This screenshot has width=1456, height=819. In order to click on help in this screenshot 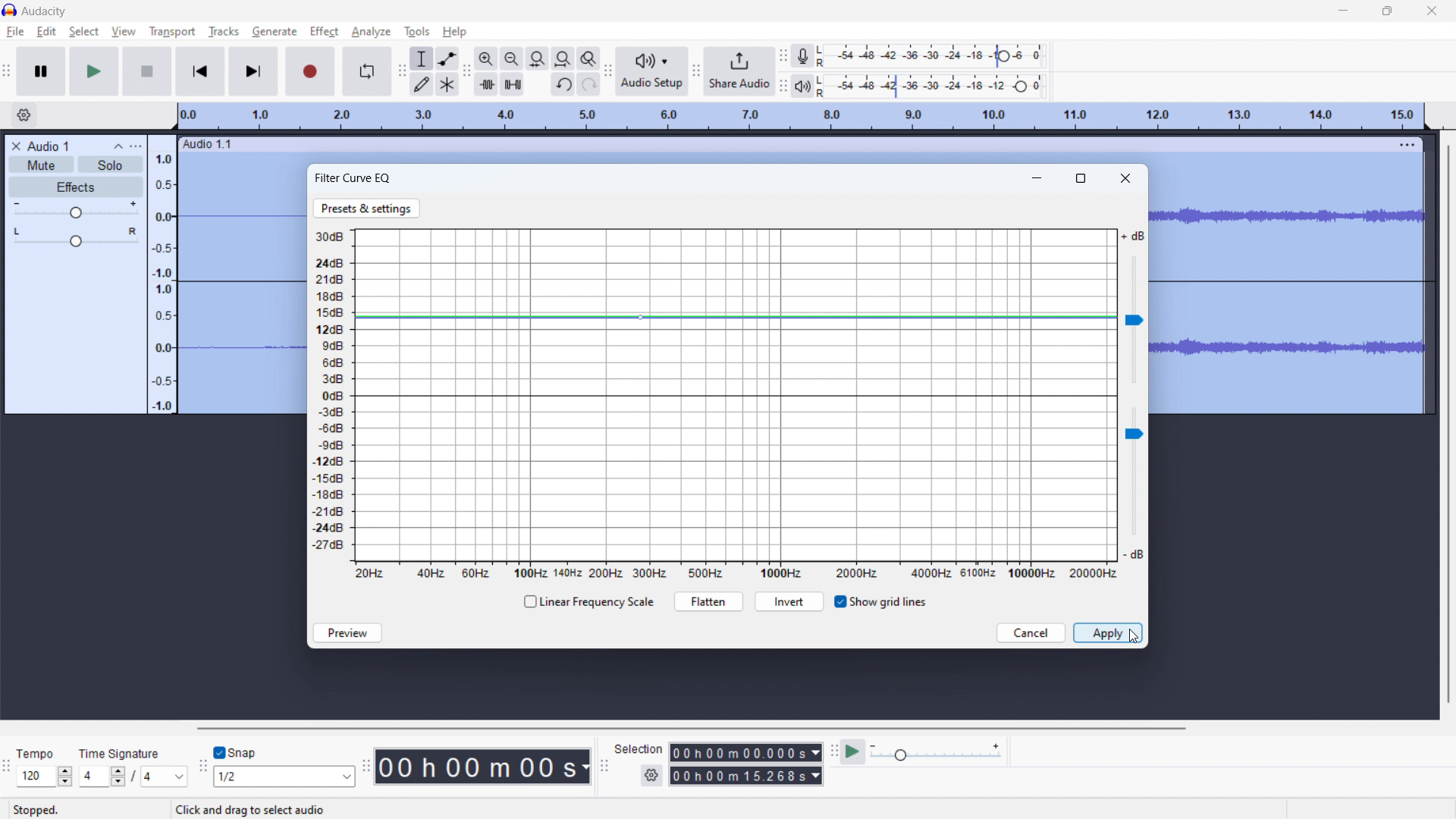, I will do `click(456, 32)`.